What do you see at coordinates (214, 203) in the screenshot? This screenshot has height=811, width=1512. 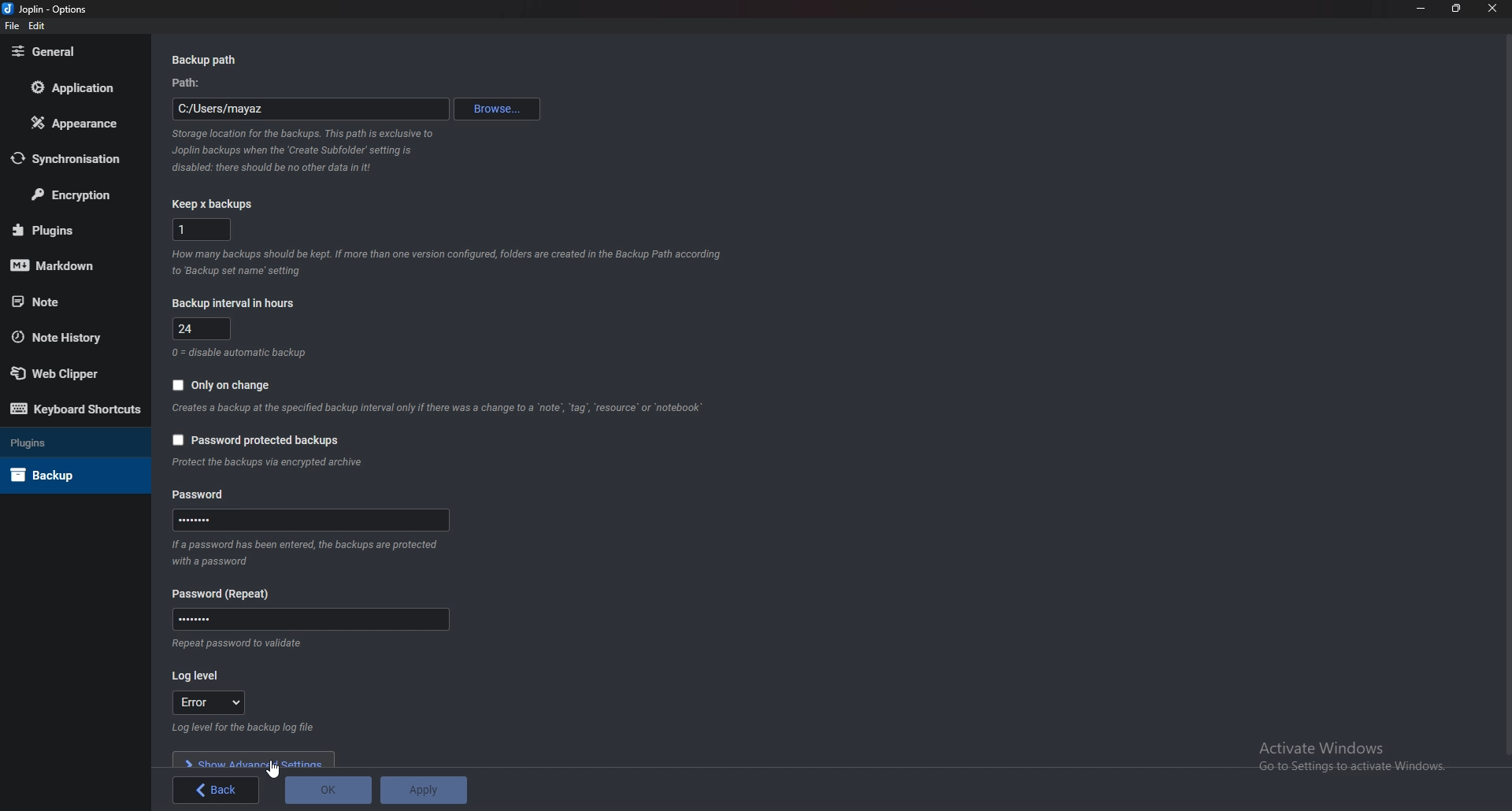 I see `Keep x backups` at bounding box center [214, 203].